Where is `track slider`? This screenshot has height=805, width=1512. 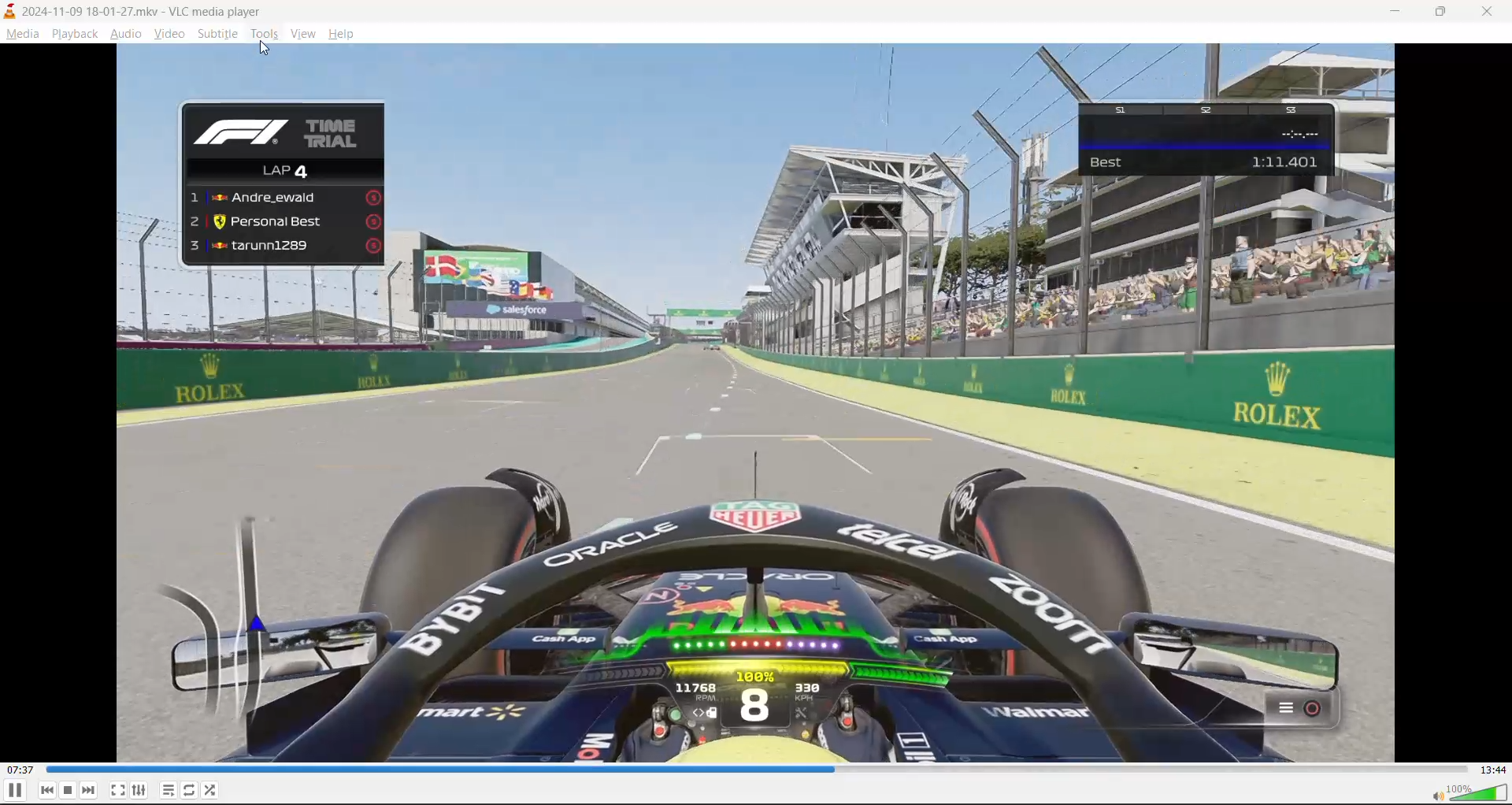
track slider is located at coordinates (758, 770).